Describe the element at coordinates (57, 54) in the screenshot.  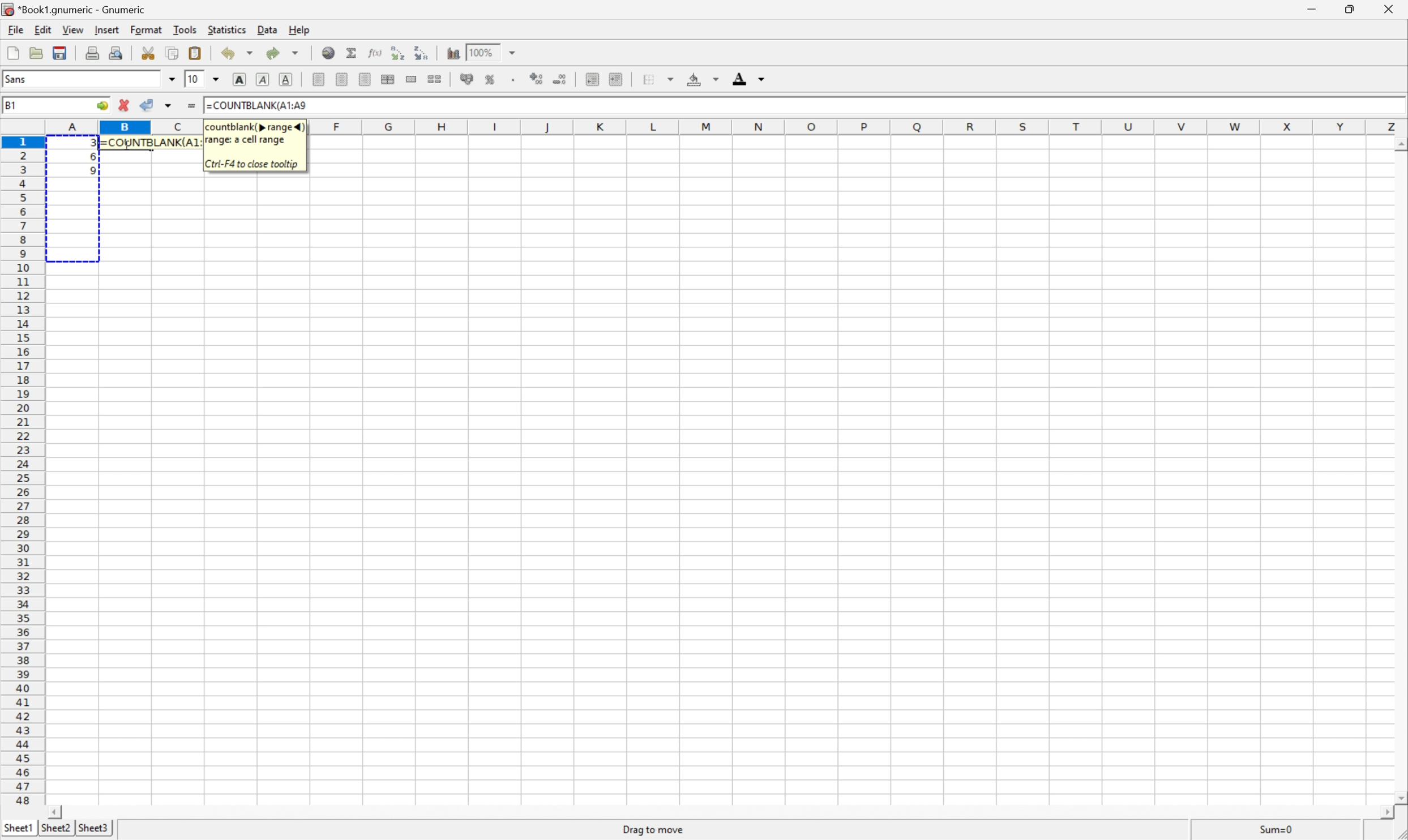
I see `Save current workbook` at that location.